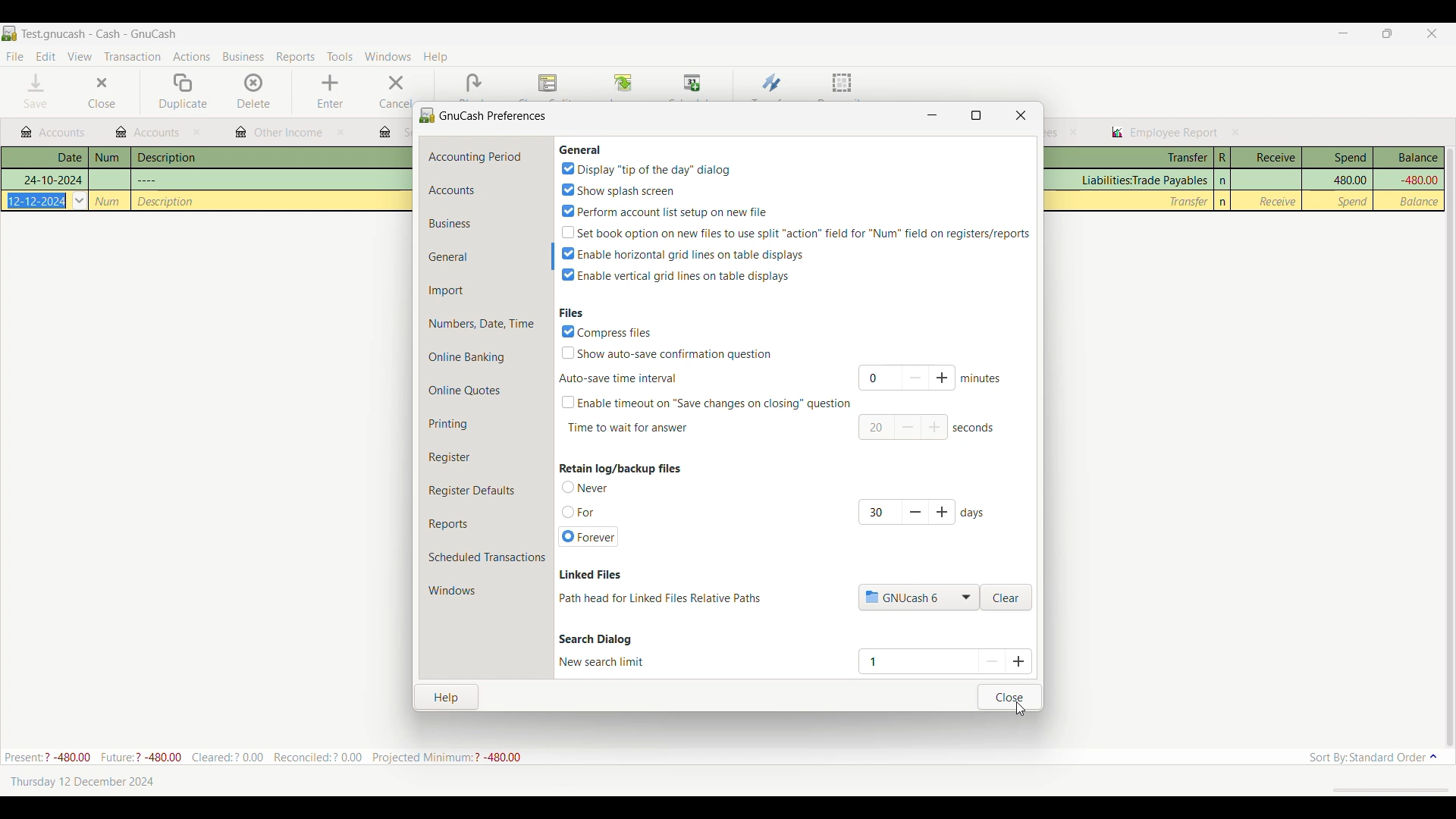 The height and width of the screenshot is (819, 1456). What do you see at coordinates (945, 512) in the screenshot?
I see `add` at bounding box center [945, 512].